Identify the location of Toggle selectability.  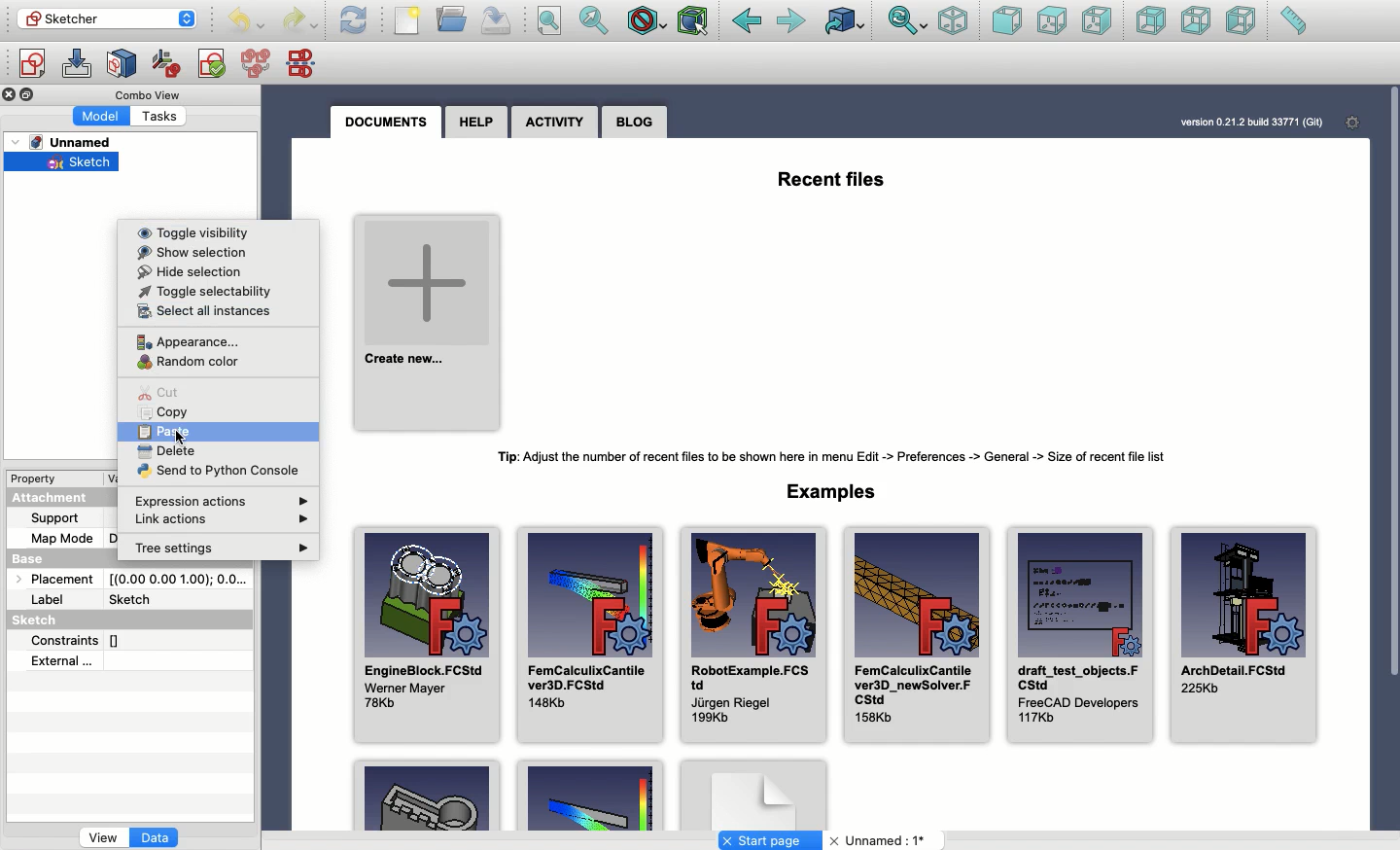
(201, 289).